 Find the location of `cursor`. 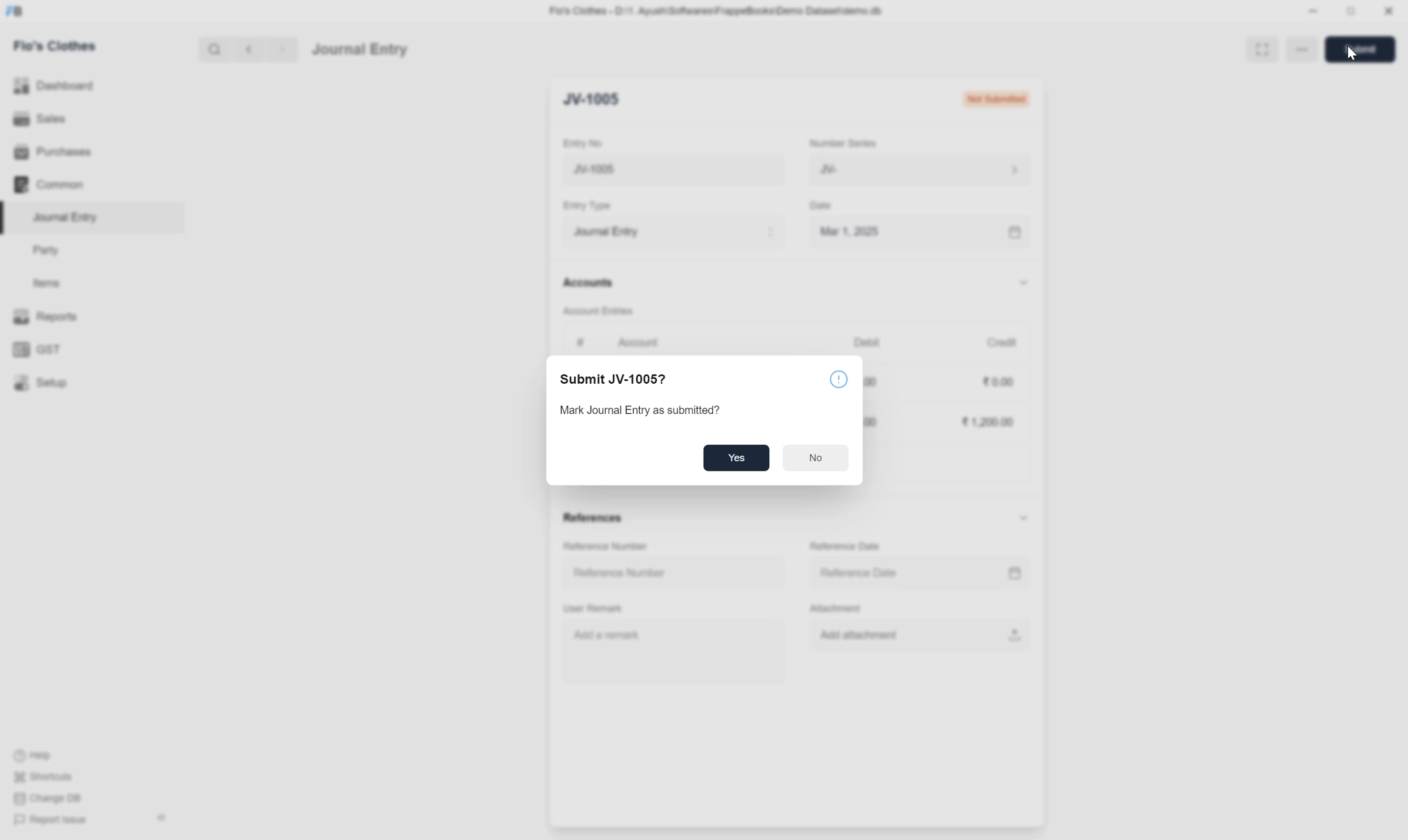

cursor is located at coordinates (1350, 57).